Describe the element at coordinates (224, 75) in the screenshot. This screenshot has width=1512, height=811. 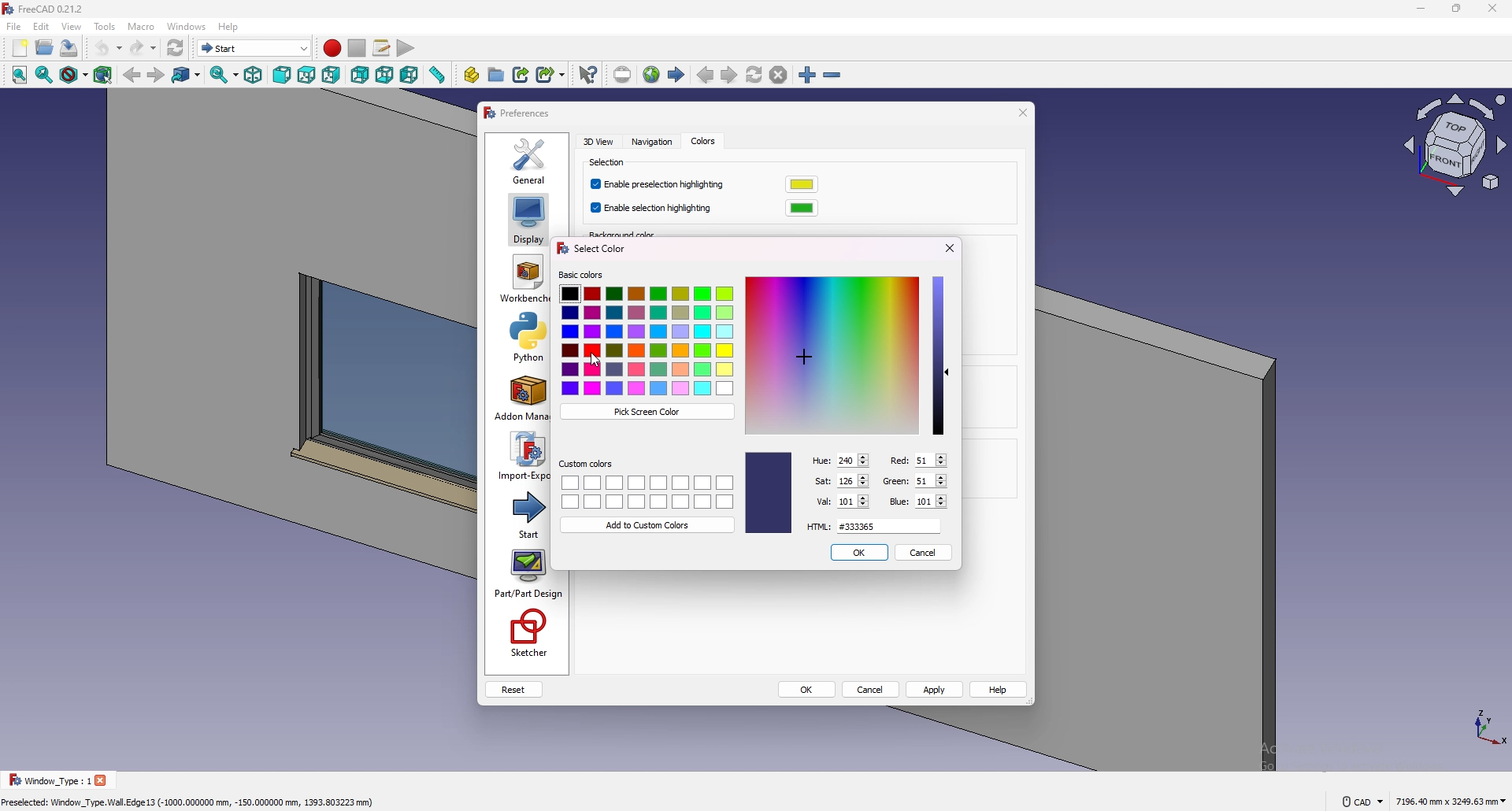
I see `sync view` at that location.